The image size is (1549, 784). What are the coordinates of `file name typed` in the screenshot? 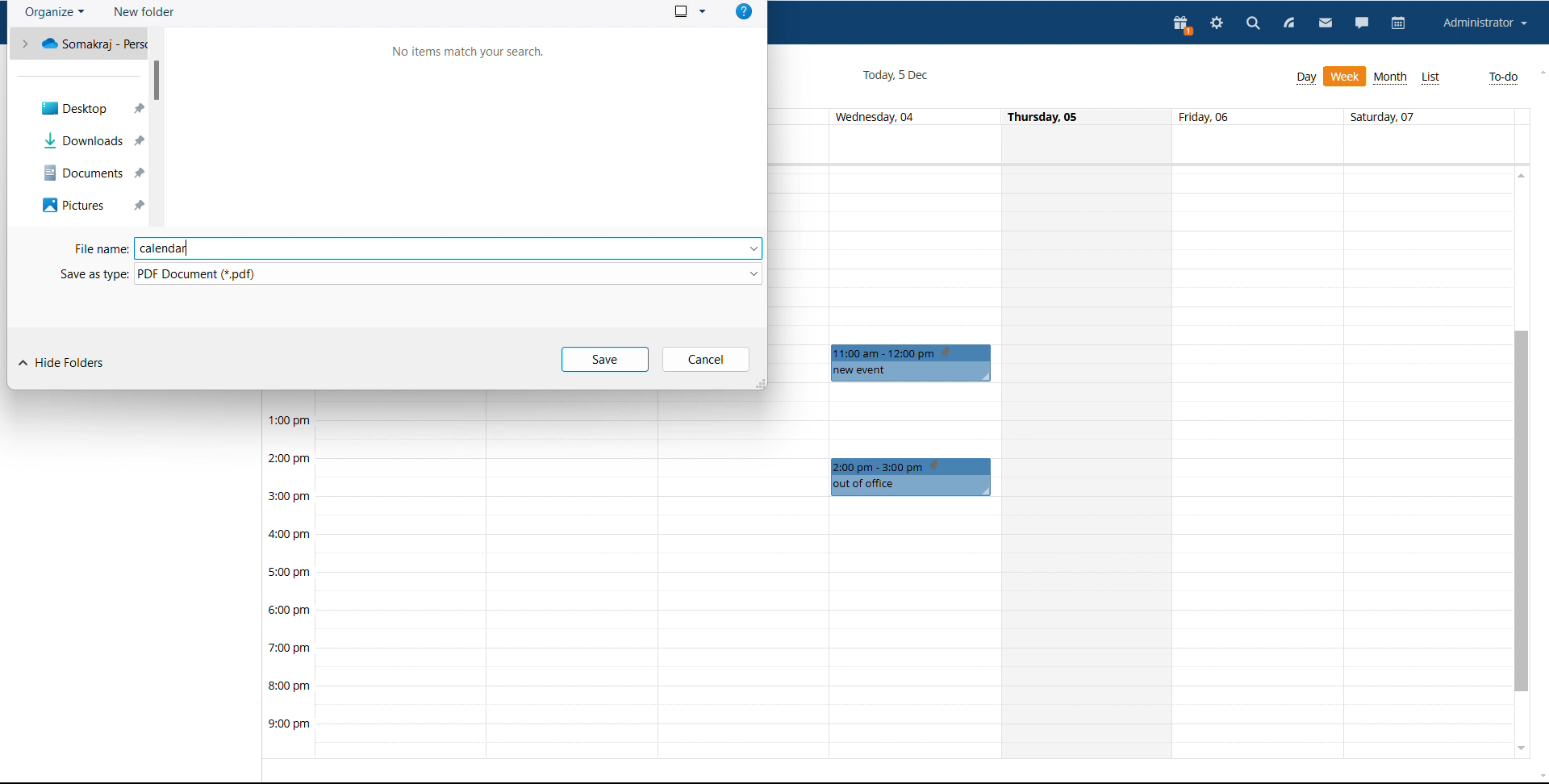 It's located at (418, 249).